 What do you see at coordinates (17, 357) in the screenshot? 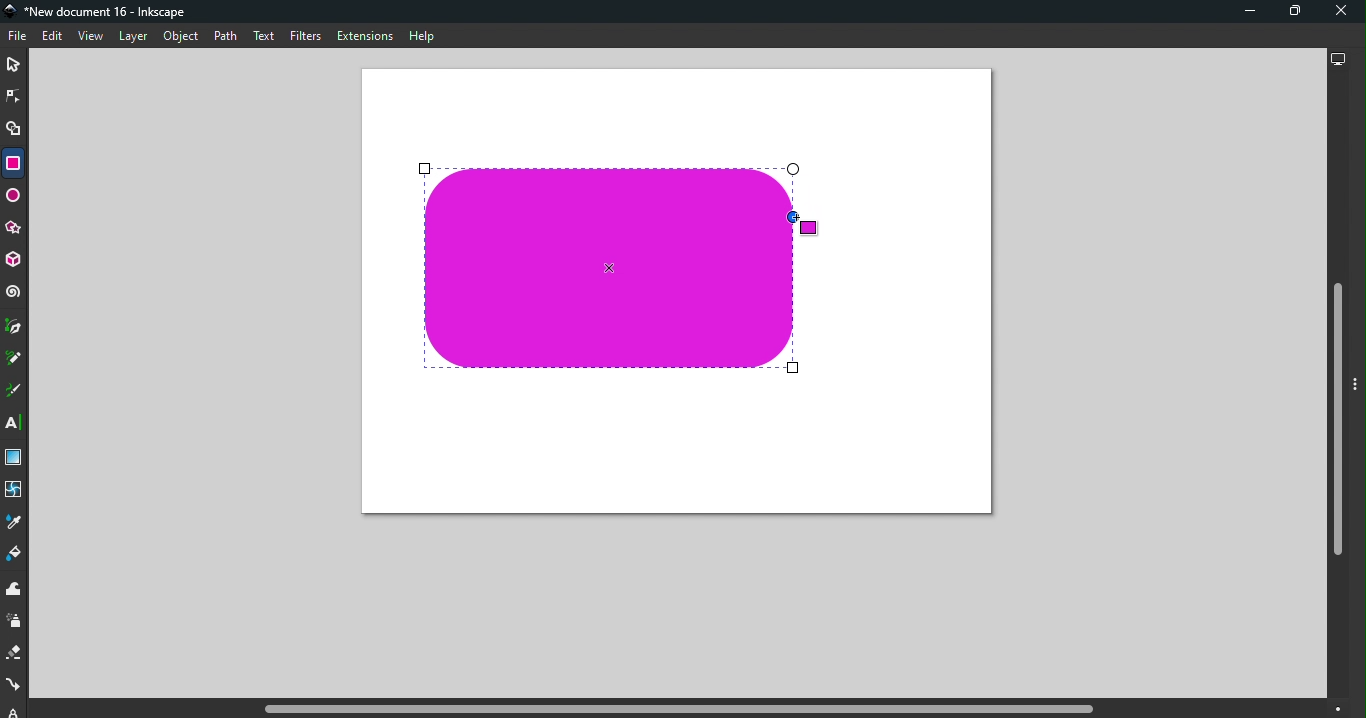
I see `Pencil tool` at bounding box center [17, 357].